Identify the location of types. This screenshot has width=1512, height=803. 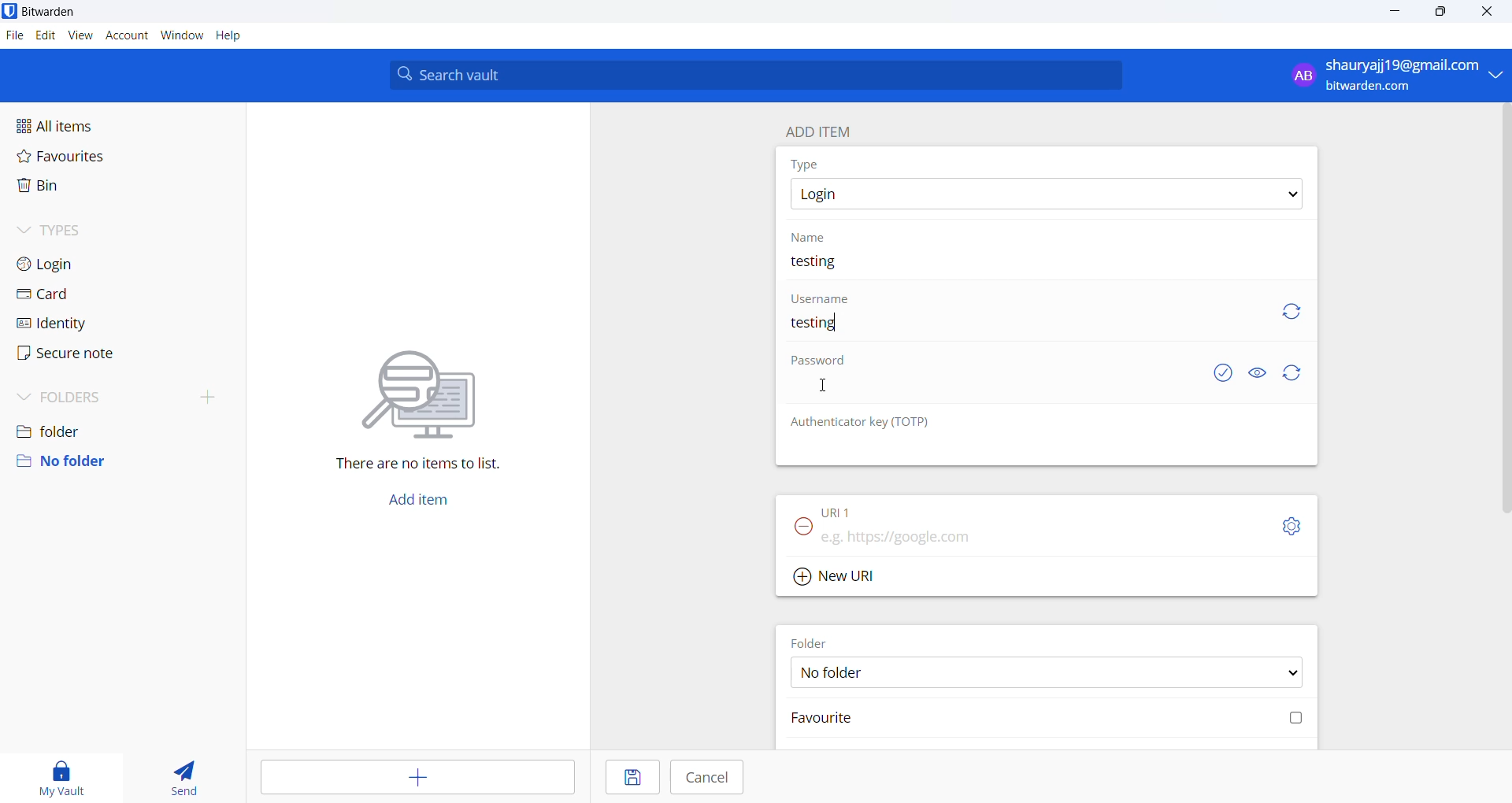
(87, 231).